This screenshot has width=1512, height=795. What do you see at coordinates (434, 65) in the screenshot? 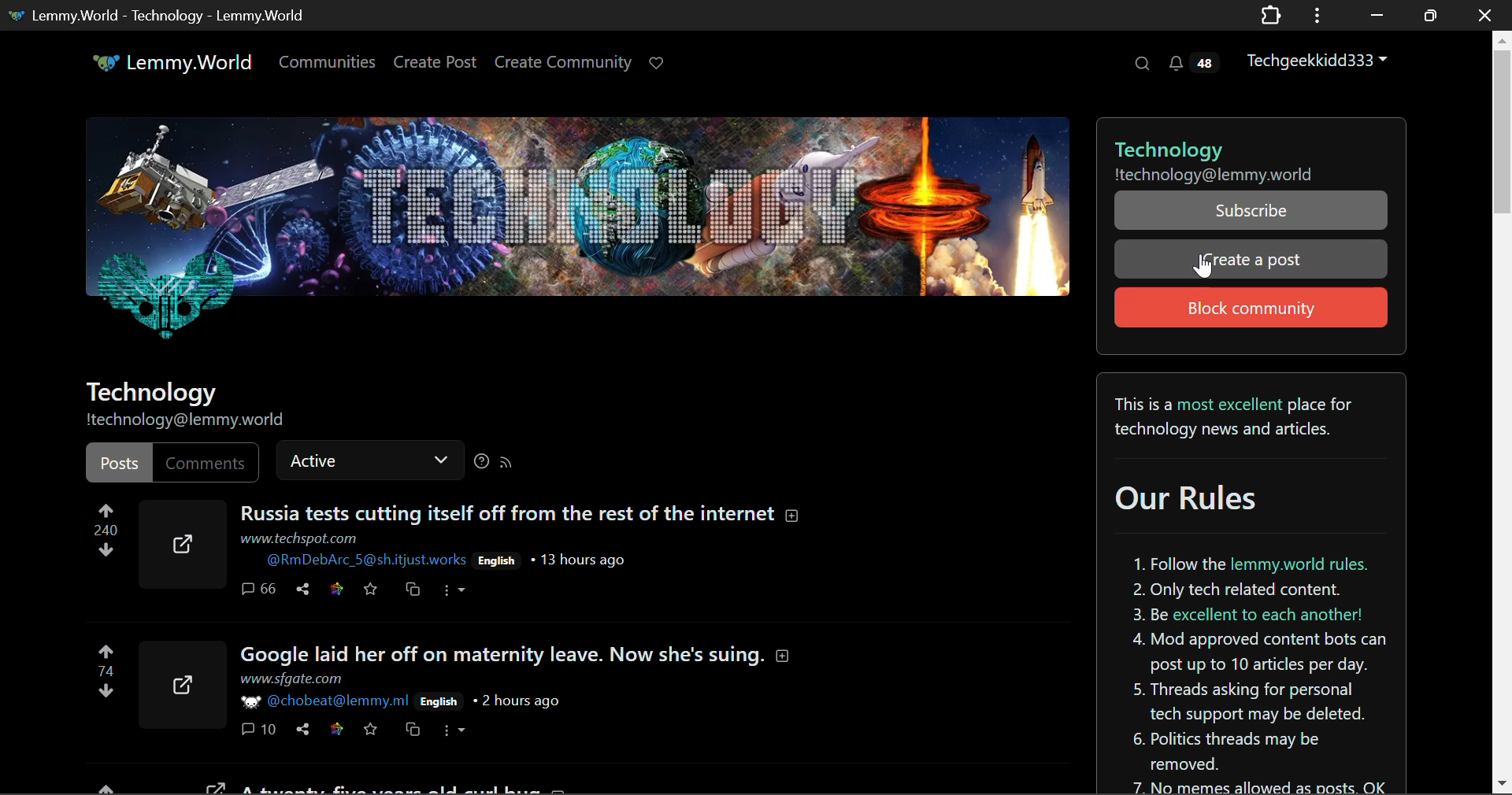
I see `Create Post` at bounding box center [434, 65].